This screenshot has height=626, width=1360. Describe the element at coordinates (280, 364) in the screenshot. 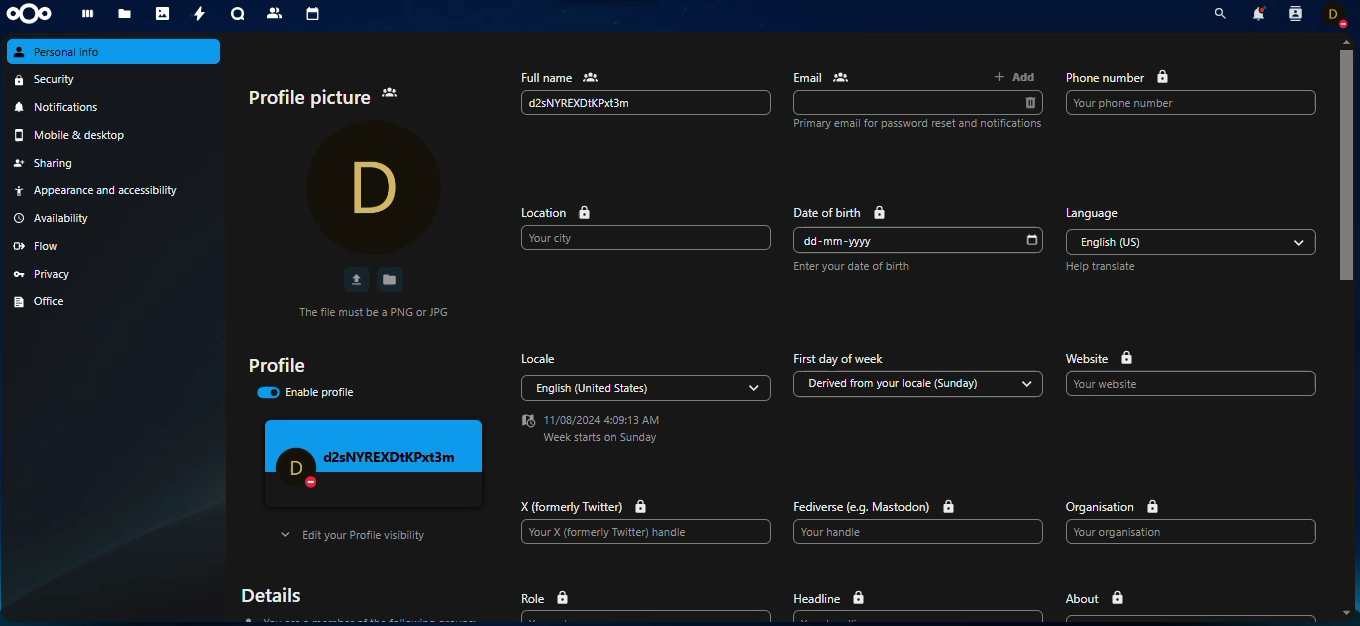

I see `profile` at that location.